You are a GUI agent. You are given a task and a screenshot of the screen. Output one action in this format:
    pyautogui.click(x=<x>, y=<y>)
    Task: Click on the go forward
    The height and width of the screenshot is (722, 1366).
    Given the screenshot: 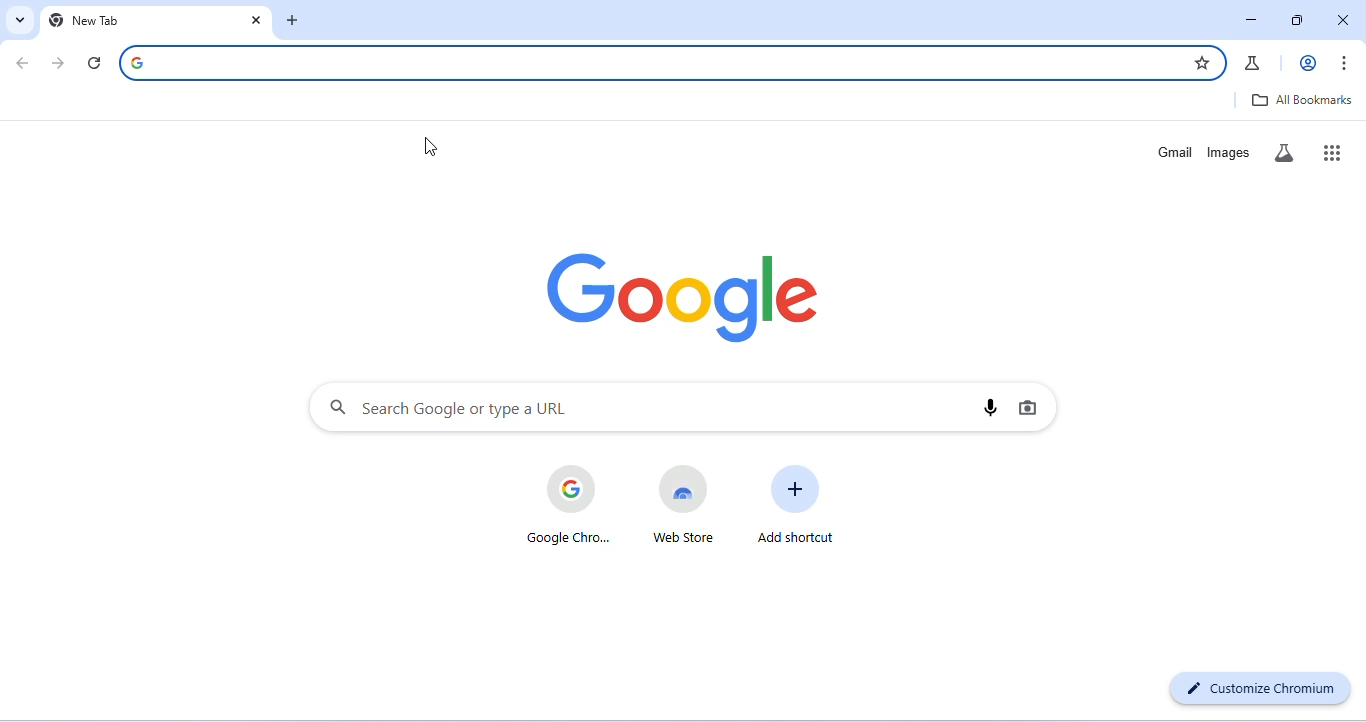 What is the action you would take?
    pyautogui.click(x=60, y=63)
    